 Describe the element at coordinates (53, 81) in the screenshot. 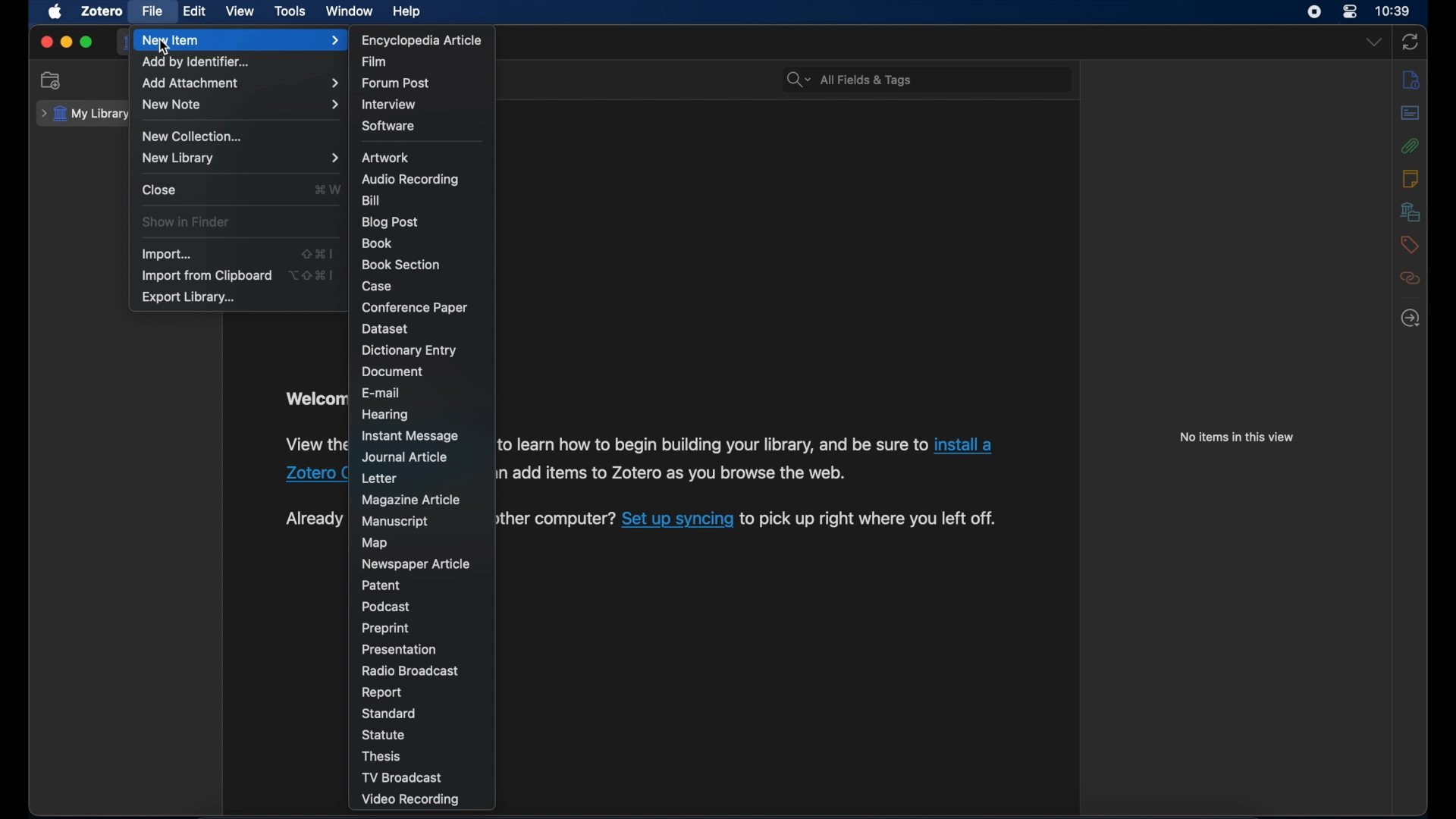

I see `new collection` at that location.